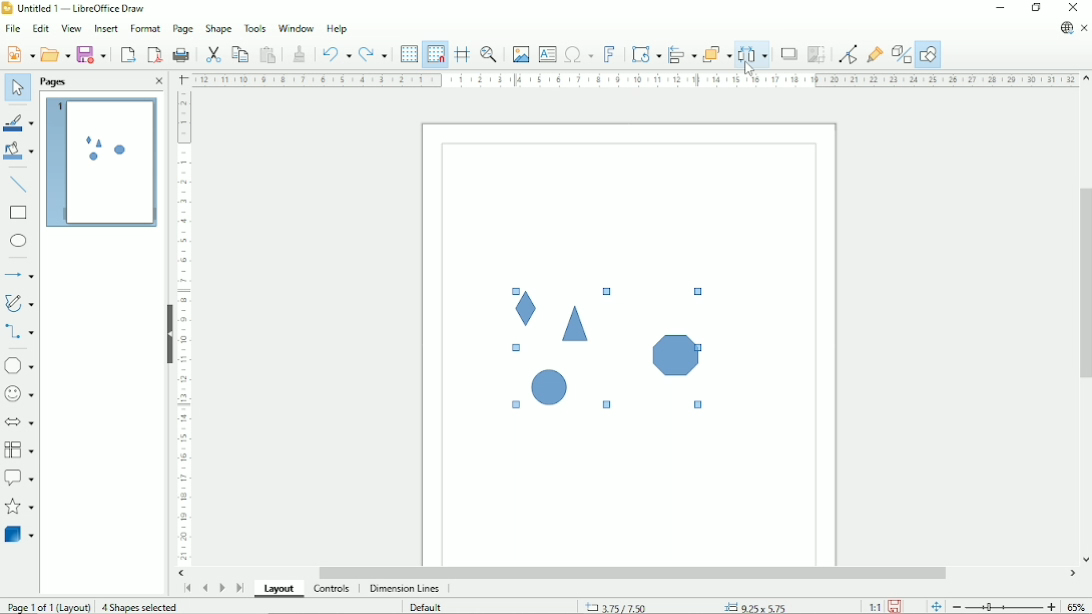 The width and height of the screenshot is (1092, 614). I want to click on Insert special characters, so click(578, 55).